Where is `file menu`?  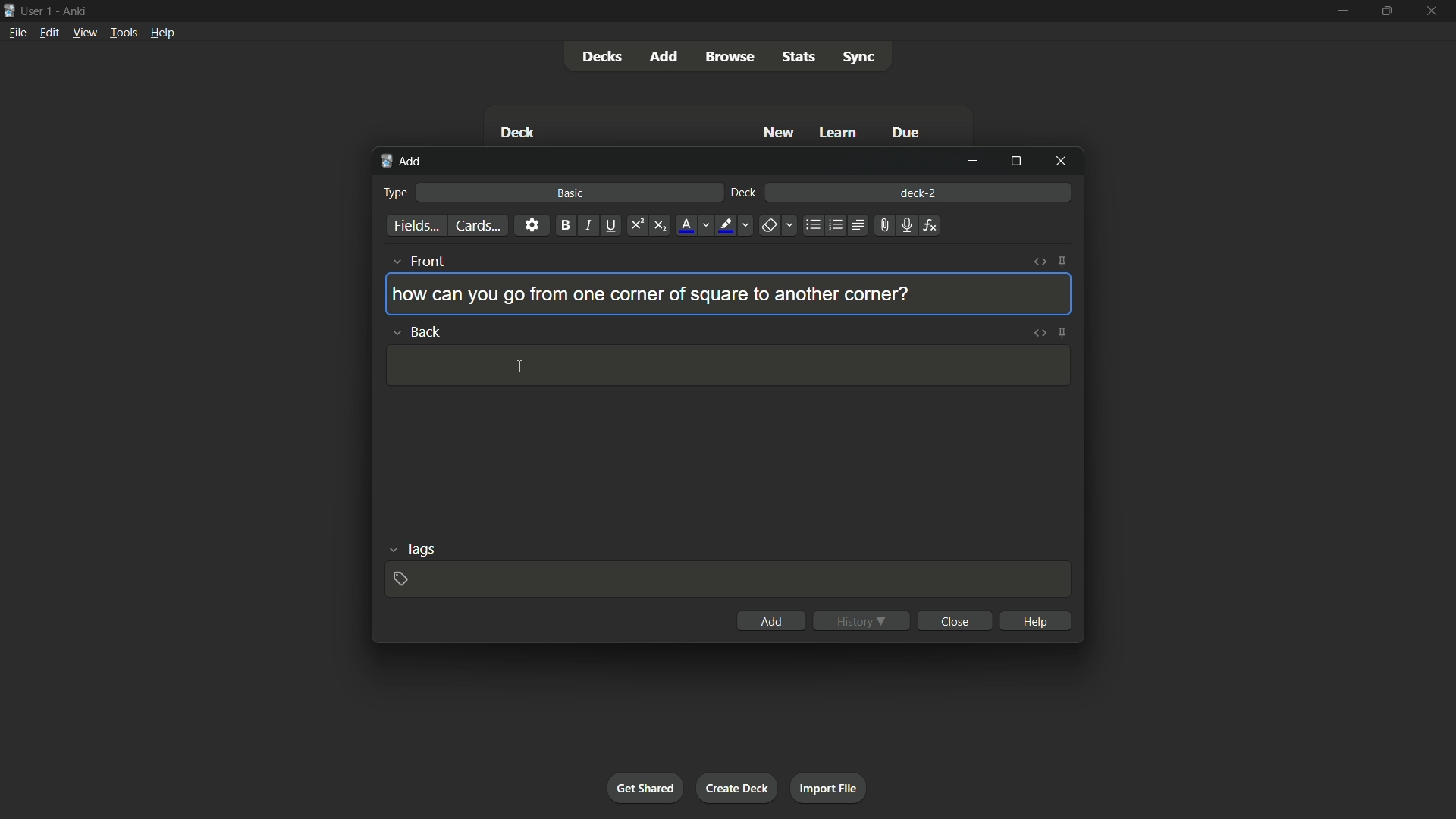 file menu is located at coordinates (16, 33).